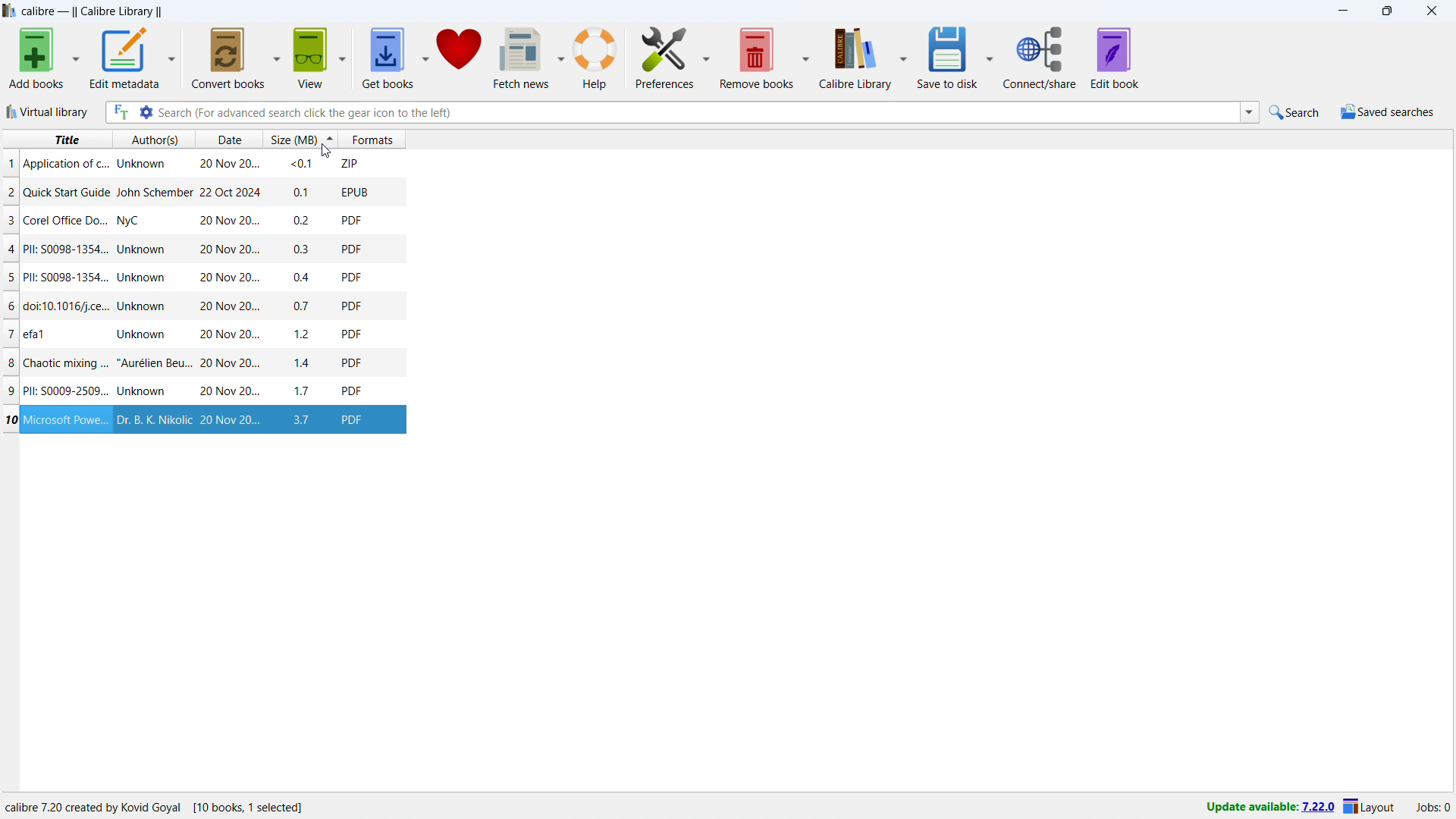 This screenshot has width=1456, height=819. Describe the element at coordinates (354, 191) in the screenshot. I see `PDF` at that location.